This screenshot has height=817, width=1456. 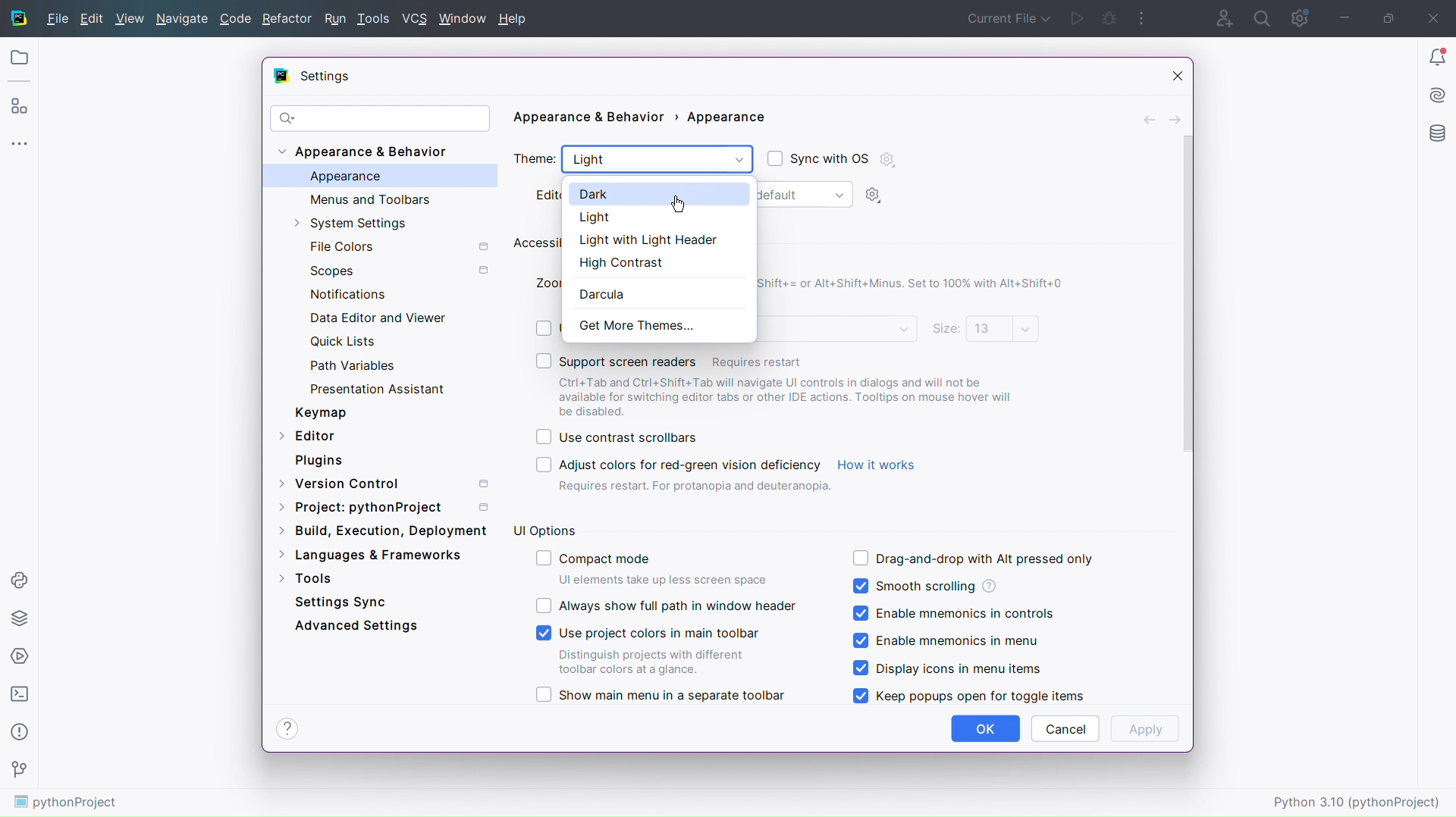 I want to click on Refactor, so click(x=287, y=18).